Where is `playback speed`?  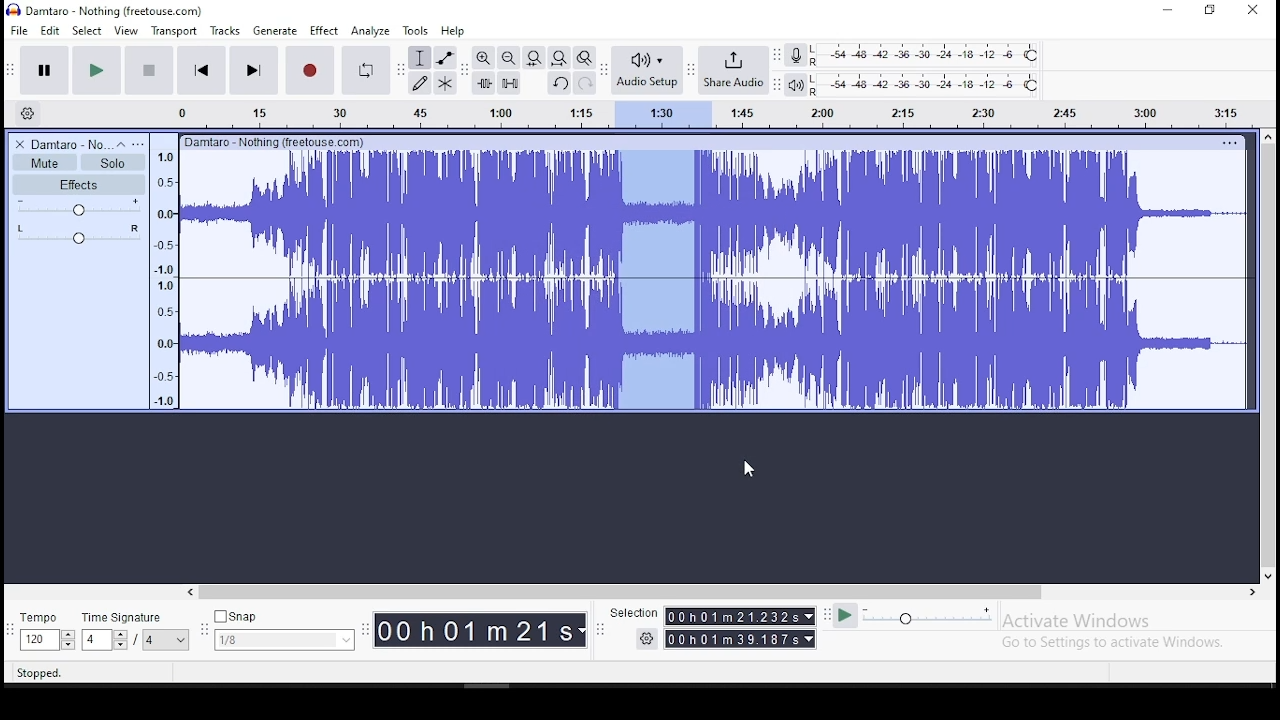 playback speed is located at coordinates (929, 615).